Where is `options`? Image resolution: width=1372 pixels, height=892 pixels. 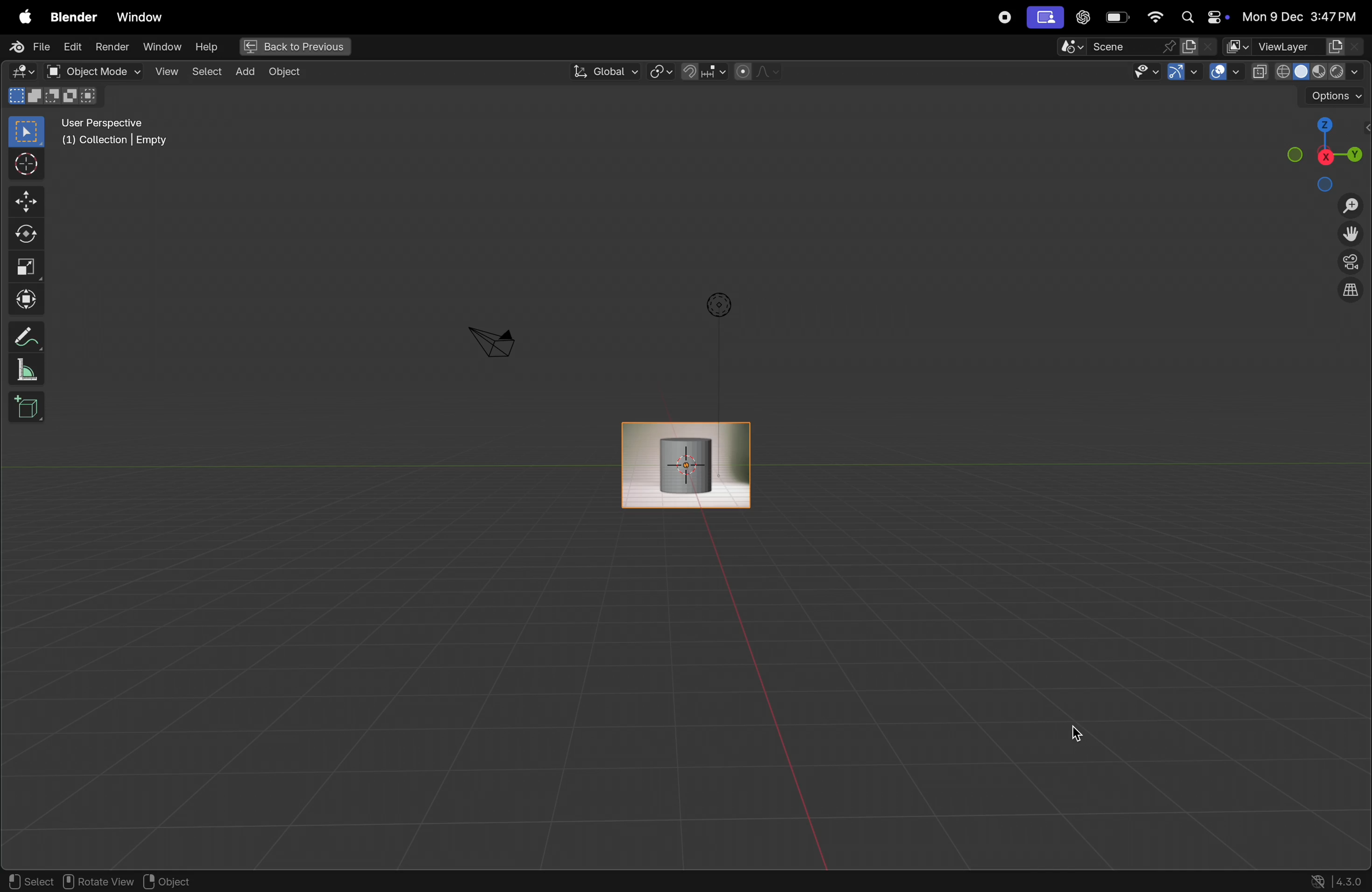
options is located at coordinates (717, 305).